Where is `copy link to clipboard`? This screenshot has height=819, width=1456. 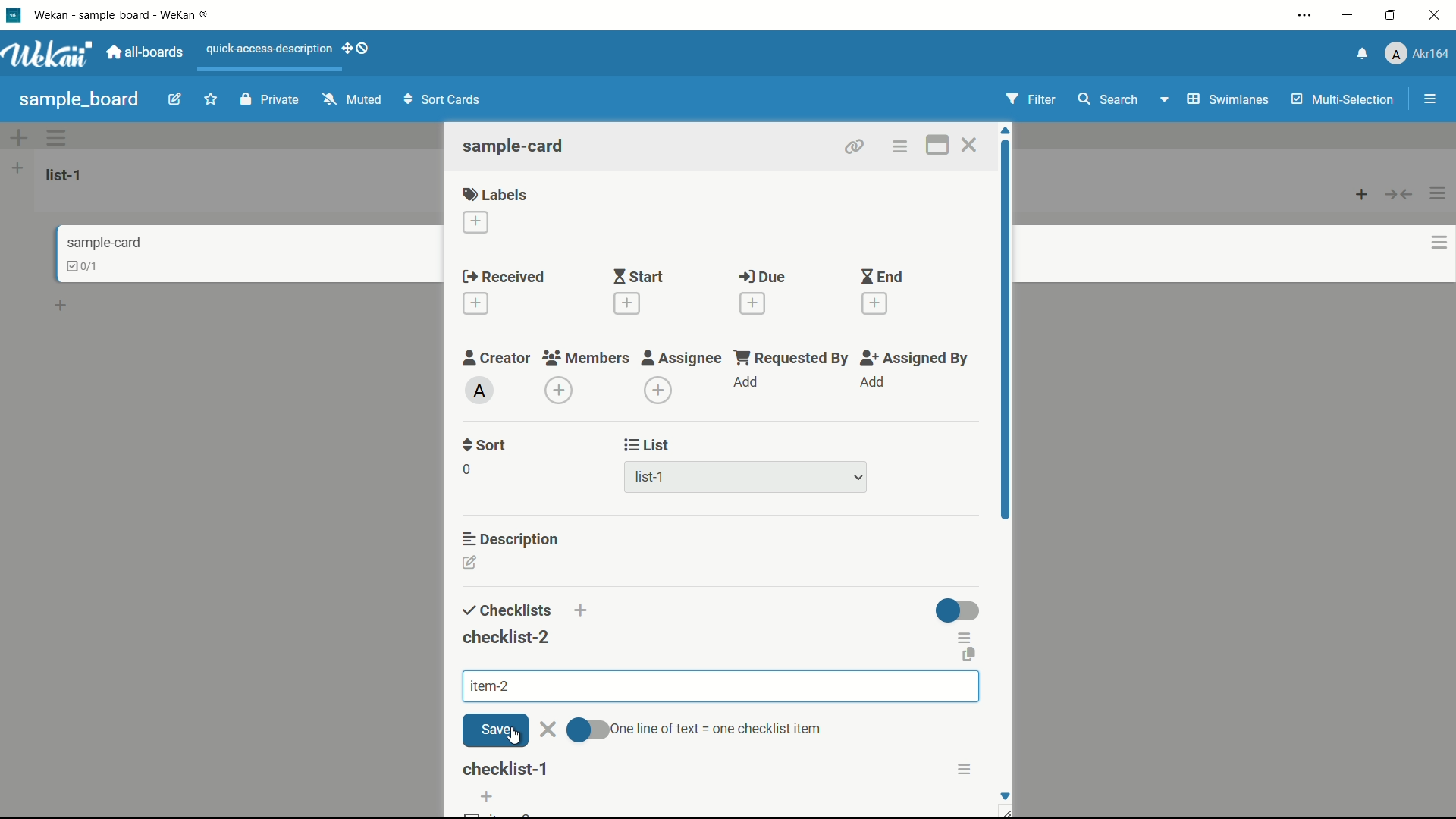 copy link to clipboard is located at coordinates (852, 146).